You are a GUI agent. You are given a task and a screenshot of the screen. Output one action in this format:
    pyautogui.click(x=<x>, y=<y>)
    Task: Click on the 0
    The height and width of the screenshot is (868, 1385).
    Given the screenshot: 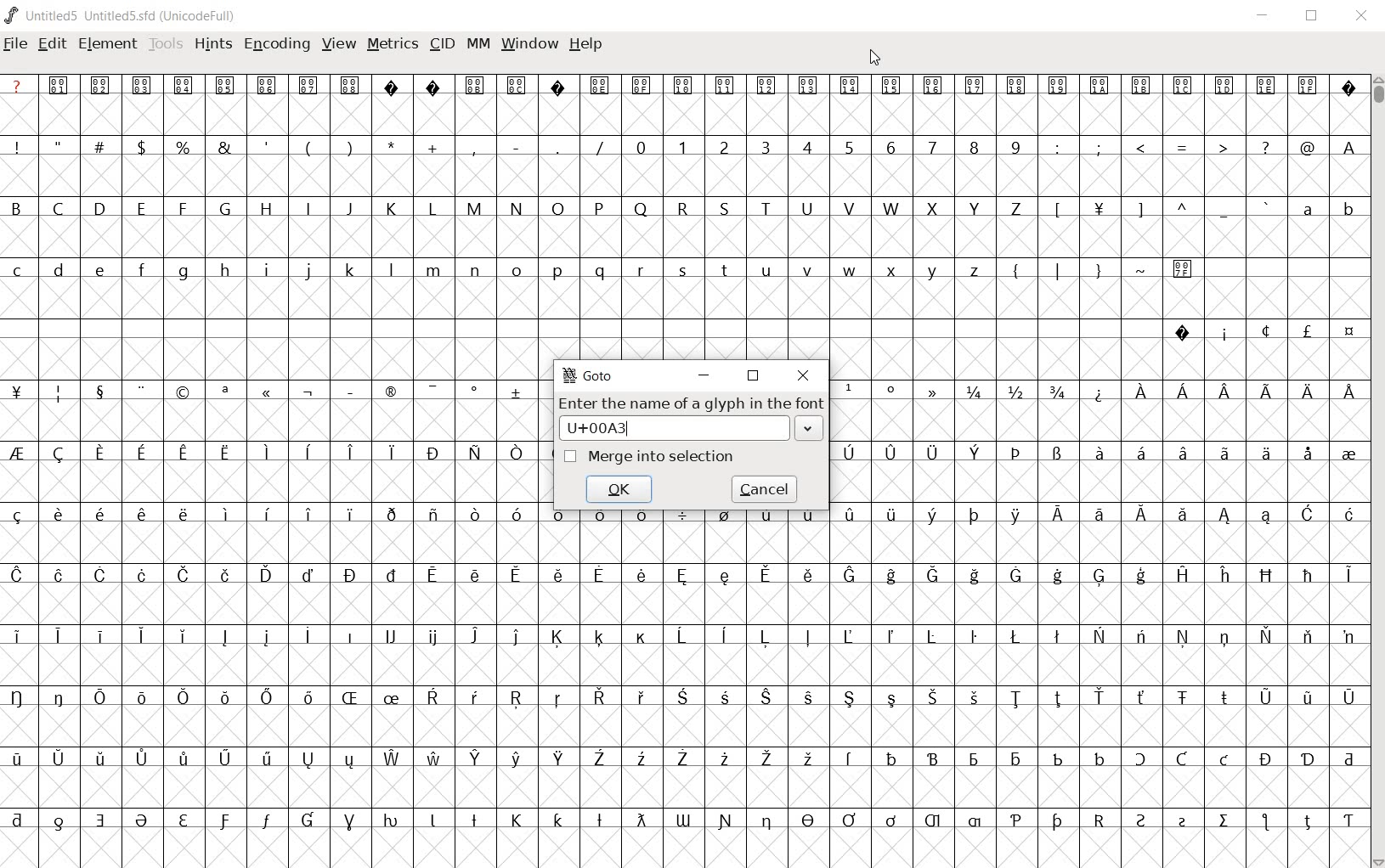 What is the action you would take?
    pyautogui.click(x=639, y=146)
    